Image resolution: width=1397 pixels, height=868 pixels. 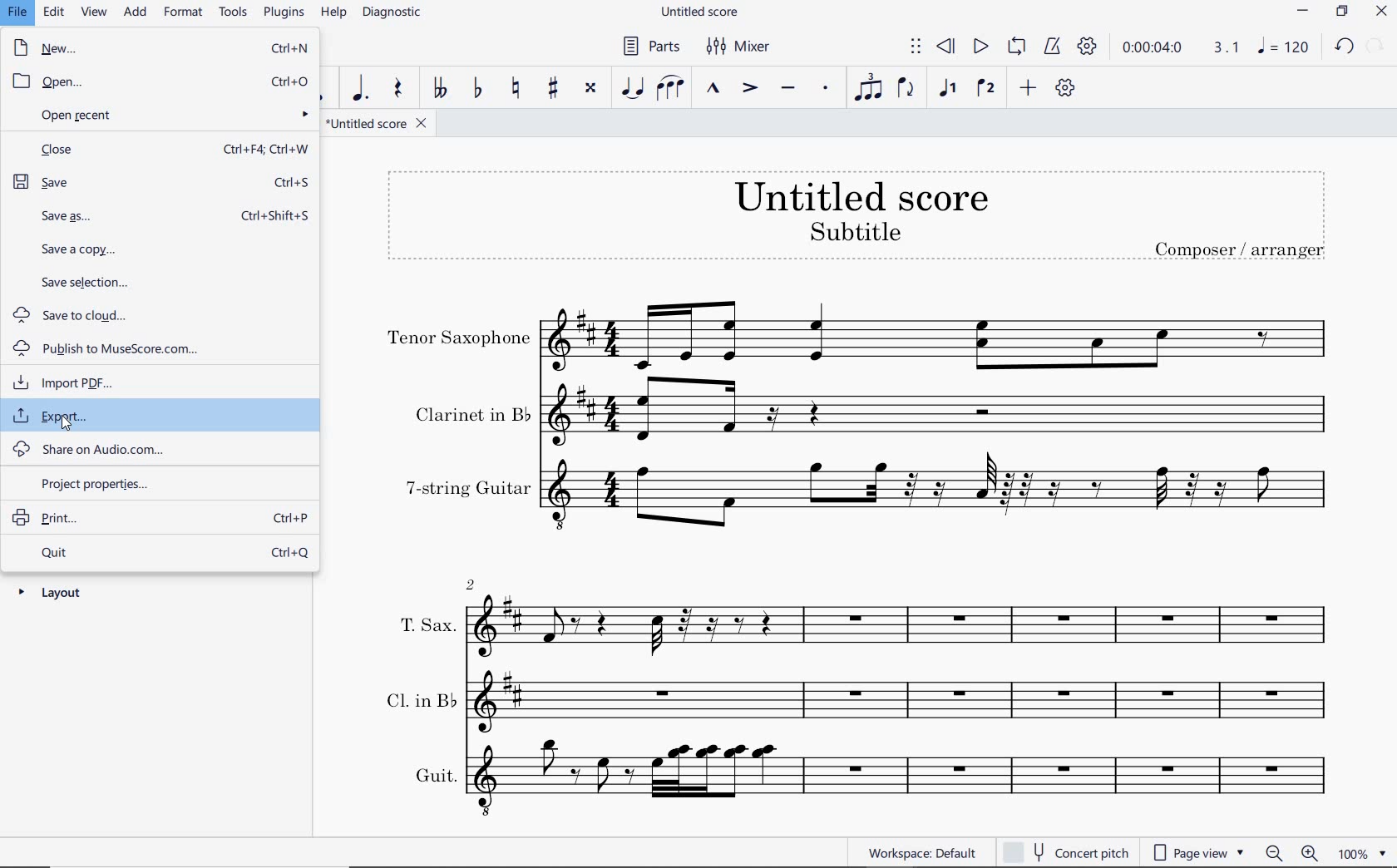 I want to click on publish to MuseScore.com, so click(x=163, y=348).